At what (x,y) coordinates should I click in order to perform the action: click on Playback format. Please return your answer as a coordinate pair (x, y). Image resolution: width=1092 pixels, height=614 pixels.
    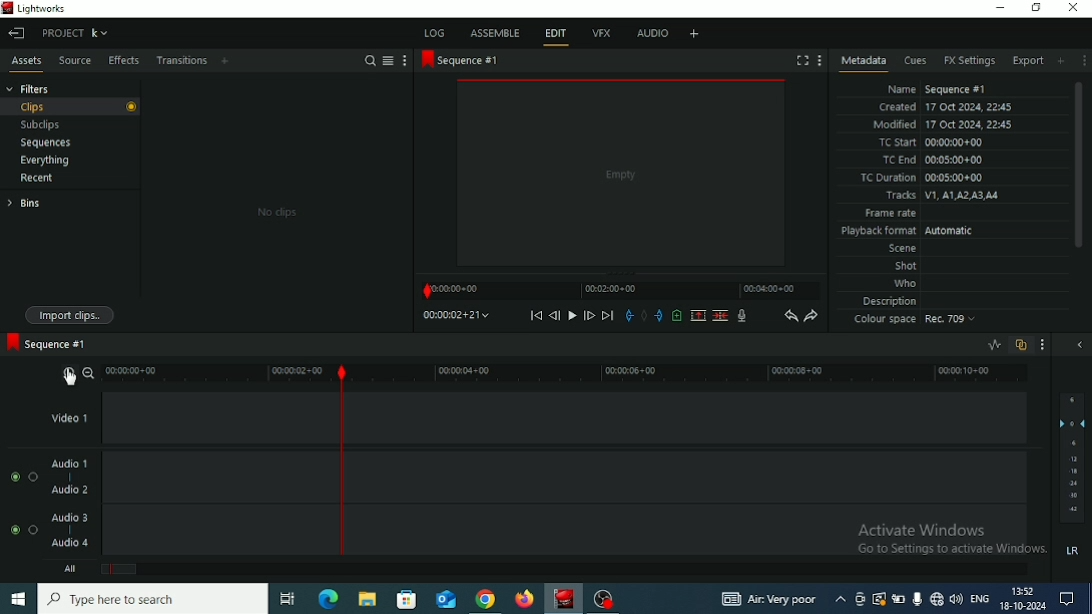
    Looking at the image, I should click on (910, 231).